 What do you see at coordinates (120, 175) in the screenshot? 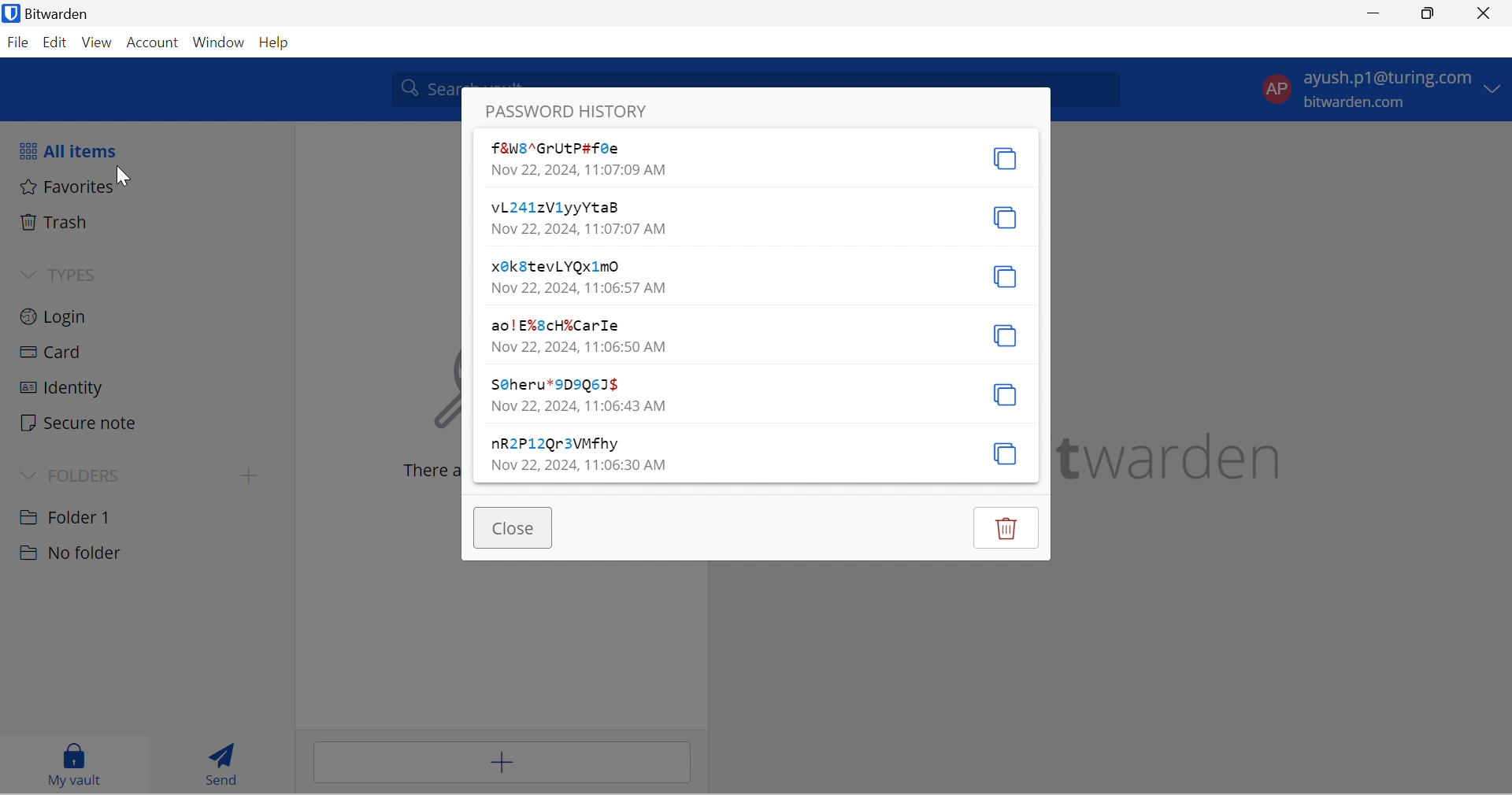
I see `Cursor` at bounding box center [120, 175].